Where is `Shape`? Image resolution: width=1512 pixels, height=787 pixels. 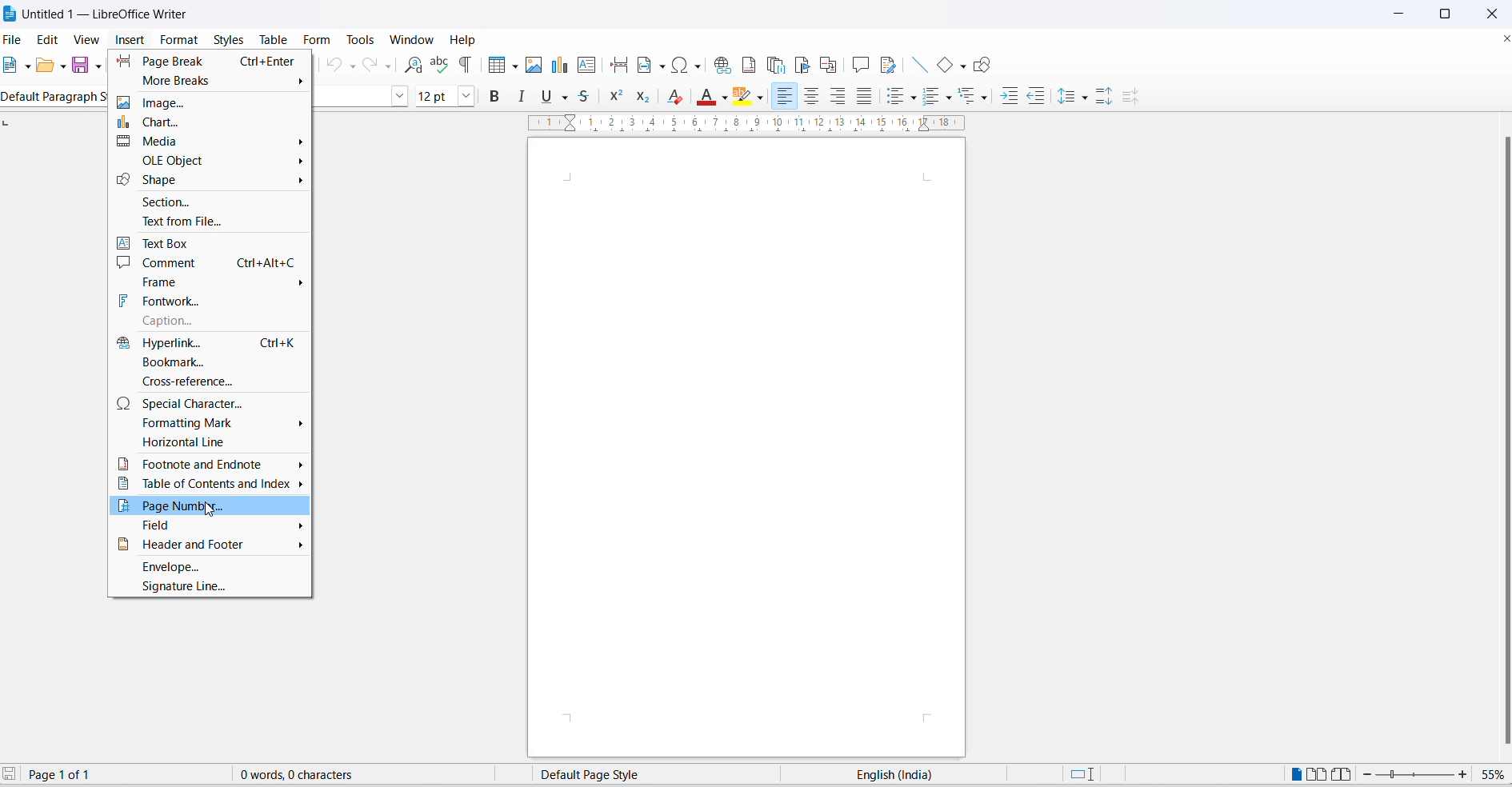
Shape is located at coordinates (207, 181).